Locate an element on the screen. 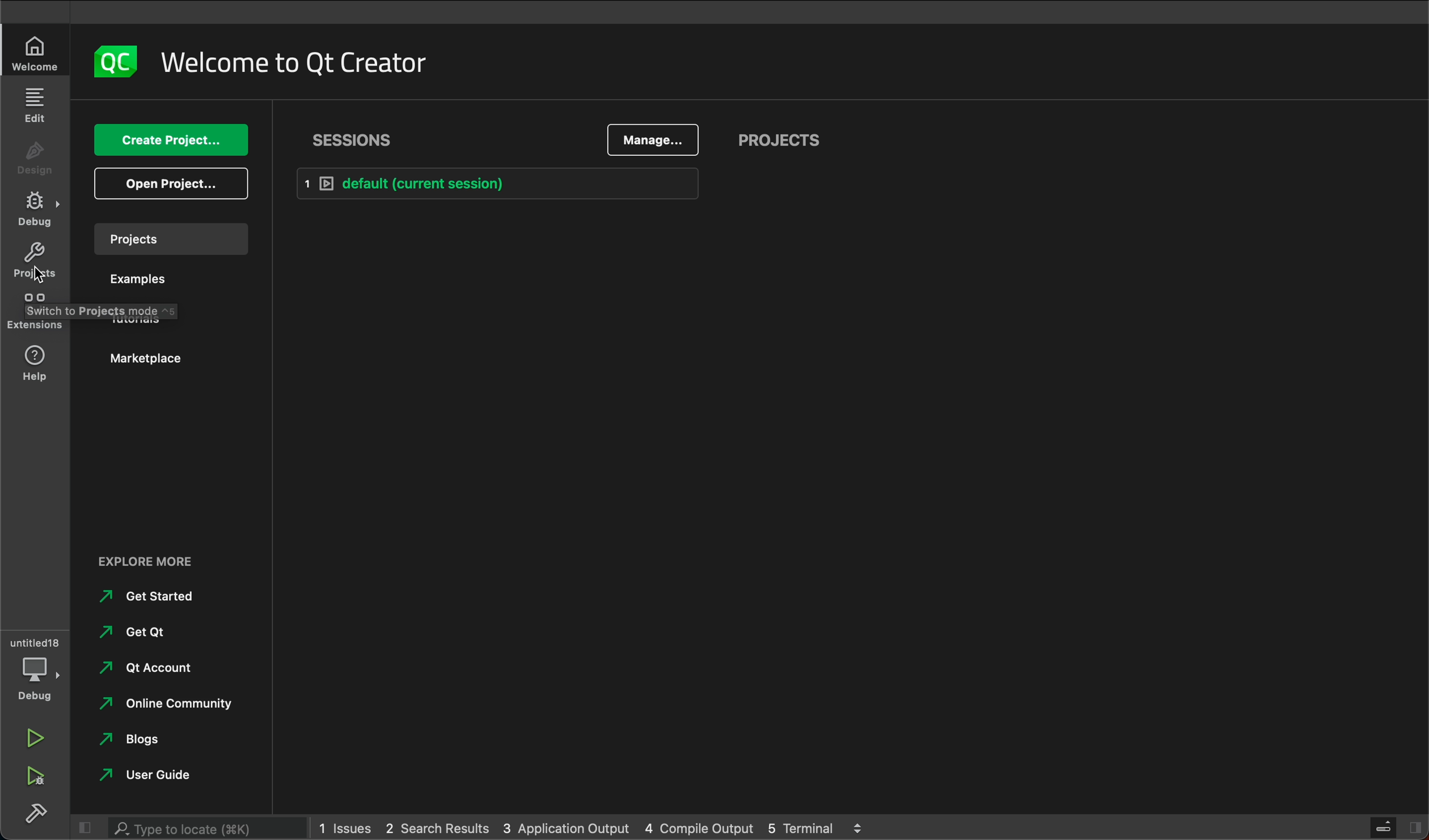 The width and height of the screenshot is (1429, 840). run debug is located at coordinates (32, 775).